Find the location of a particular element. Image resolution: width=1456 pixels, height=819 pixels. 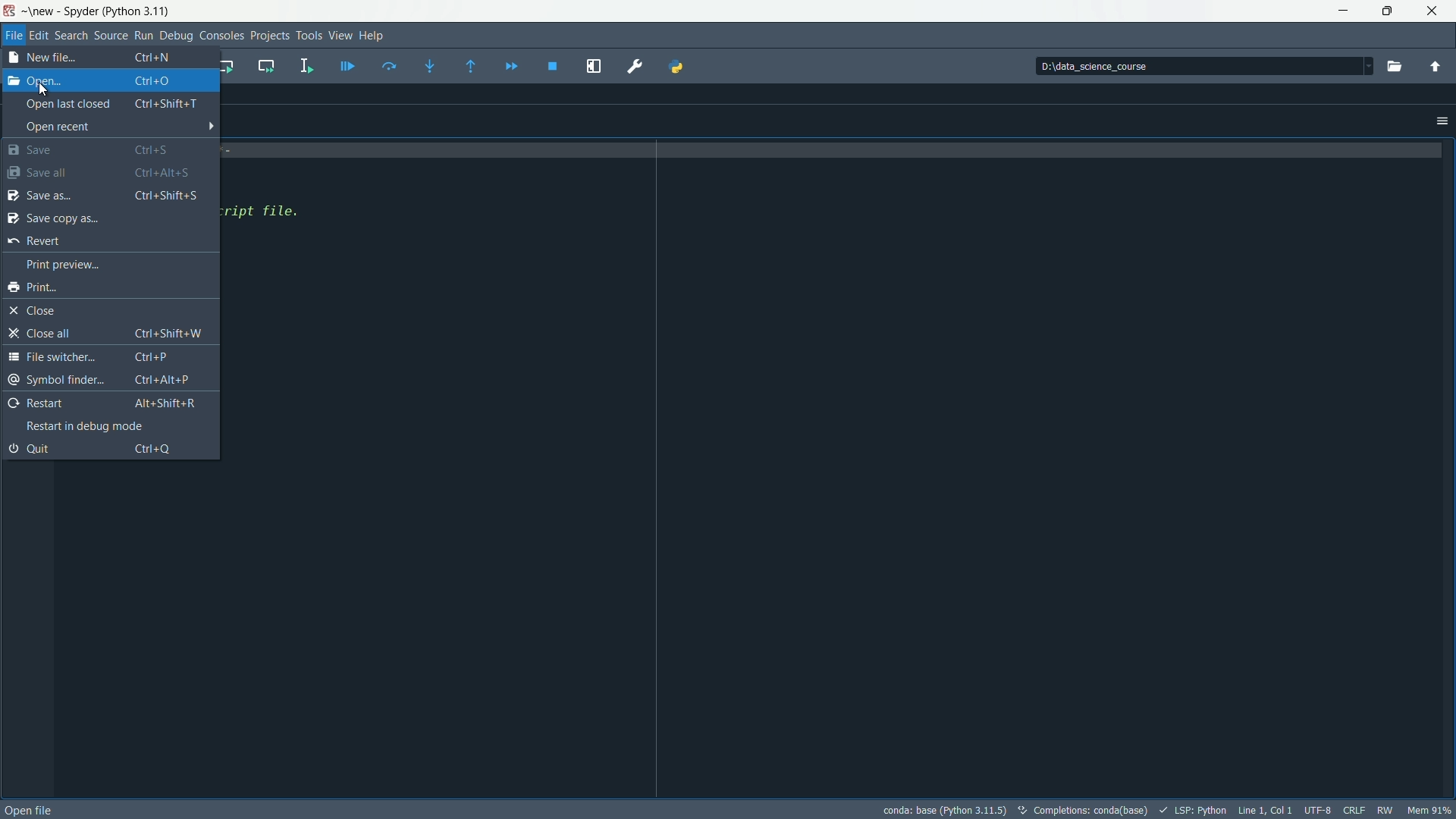

debug menu is located at coordinates (175, 36).